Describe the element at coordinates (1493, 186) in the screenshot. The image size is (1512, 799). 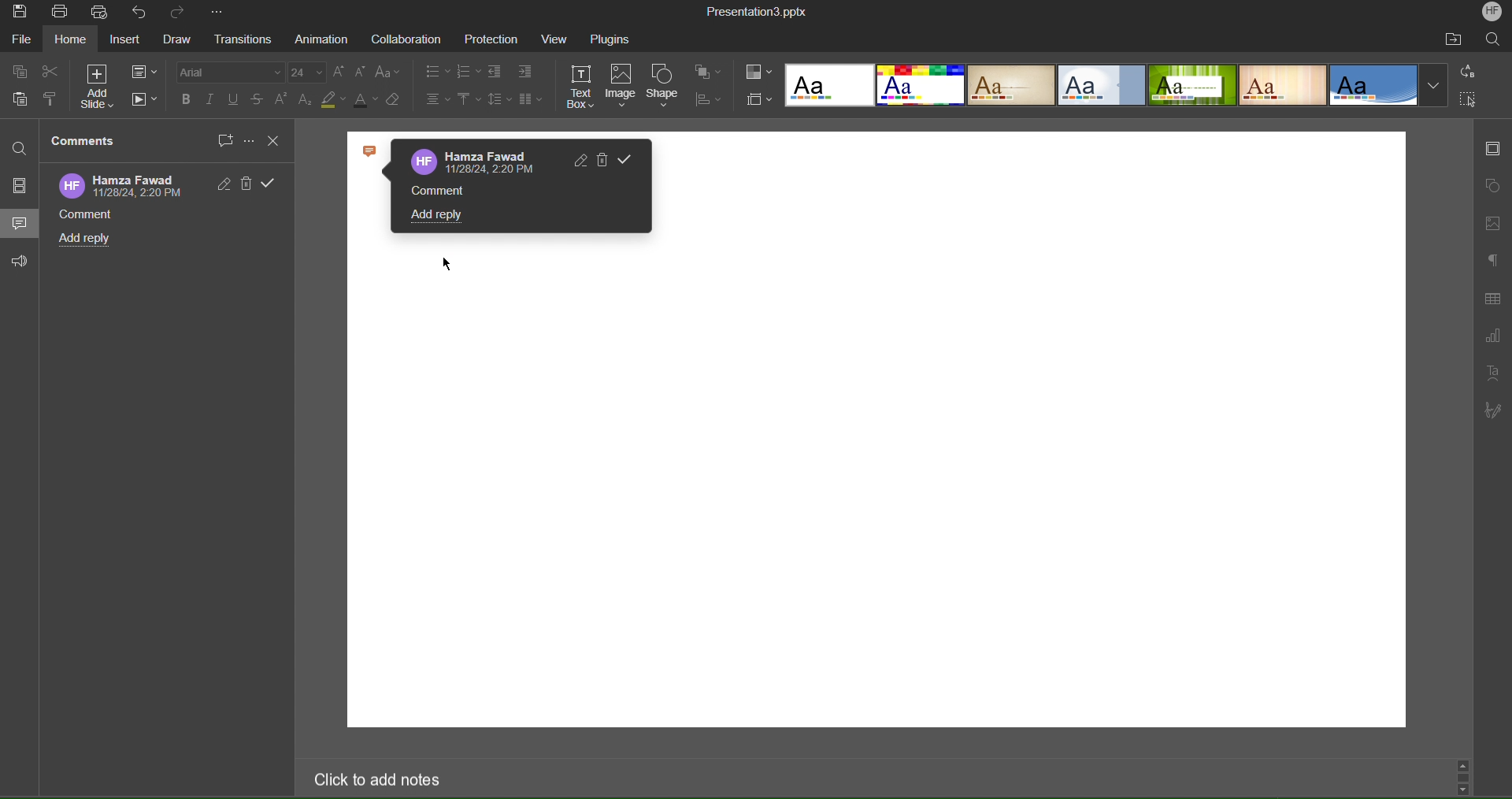
I see `Shape Settings` at that location.